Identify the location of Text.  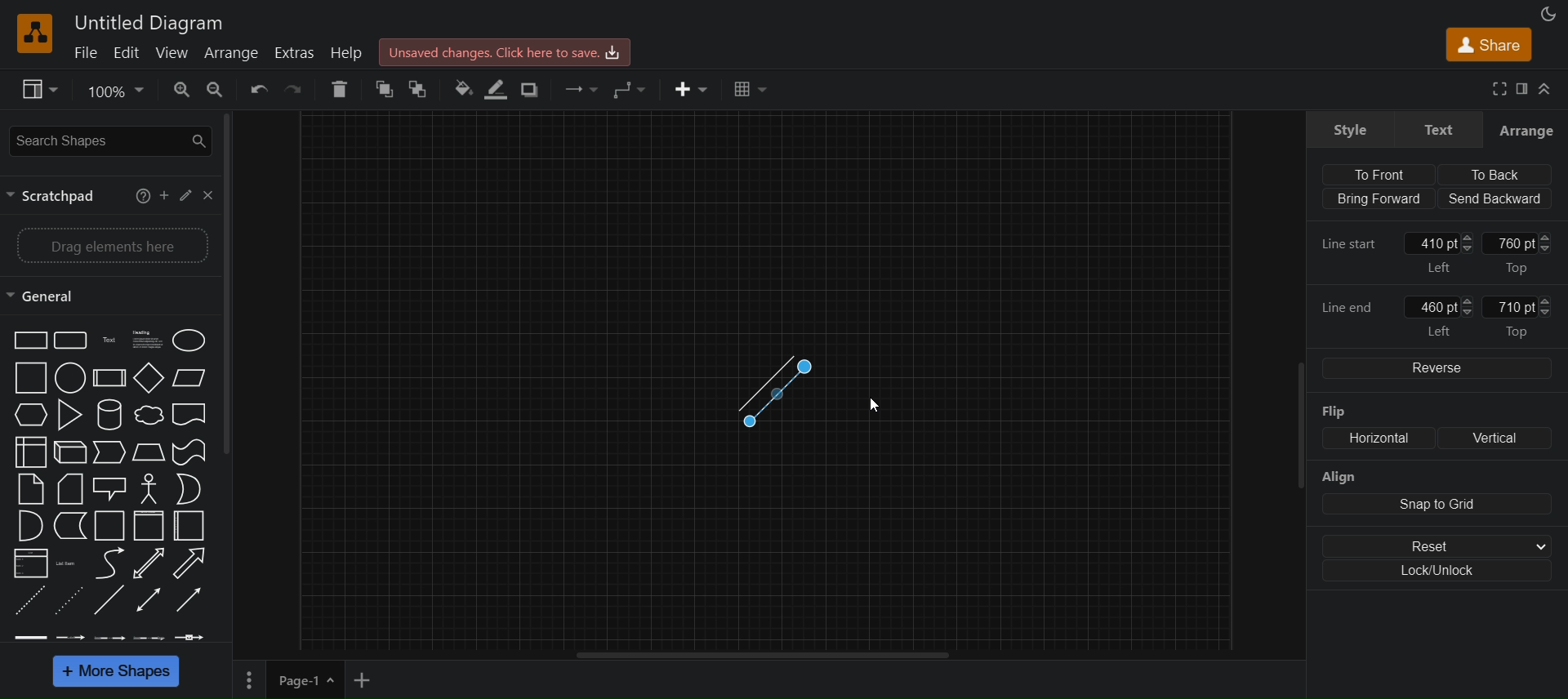
(106, 339).